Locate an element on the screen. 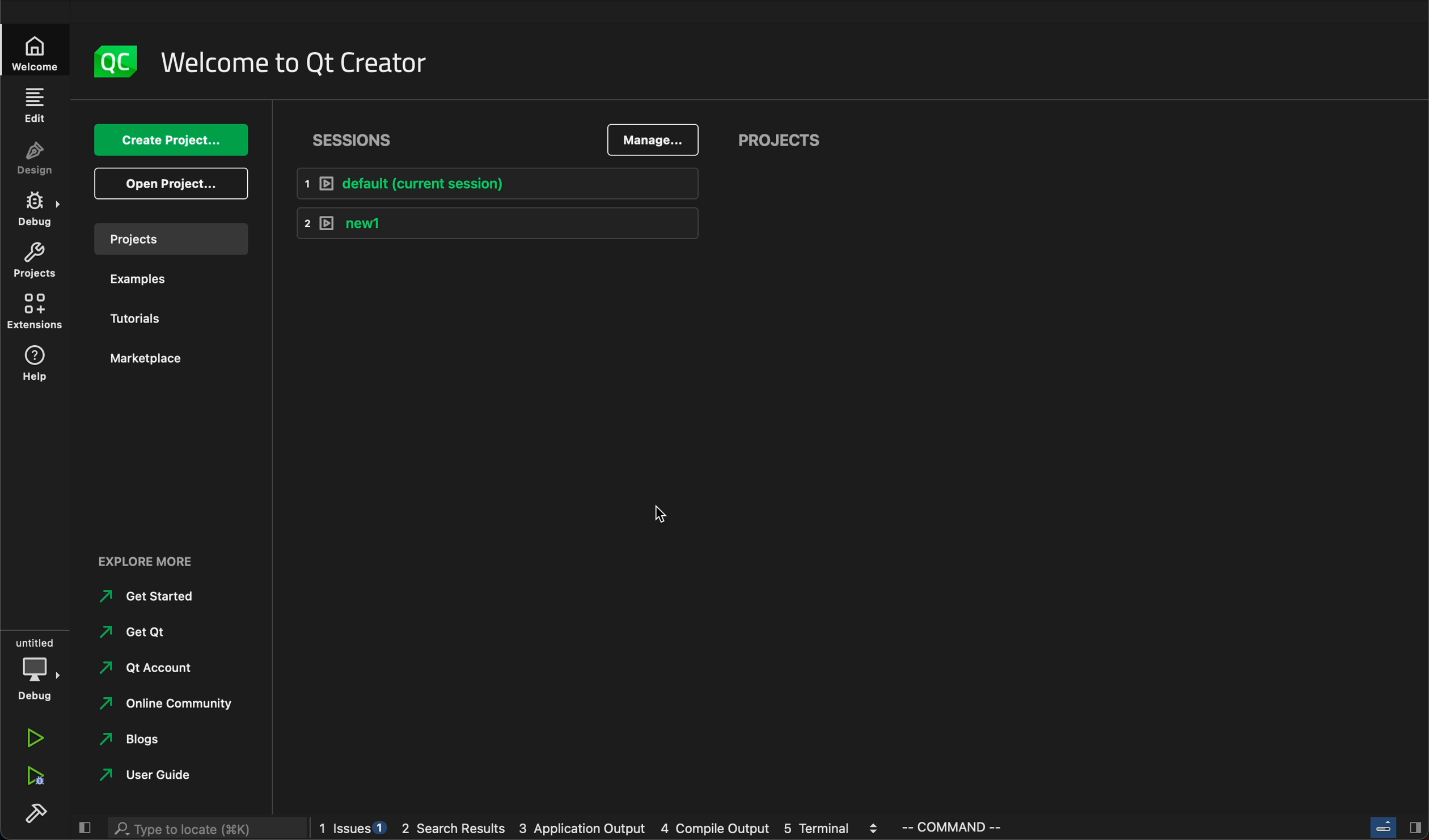  close slide bar is located at coordinates (1390, 826).